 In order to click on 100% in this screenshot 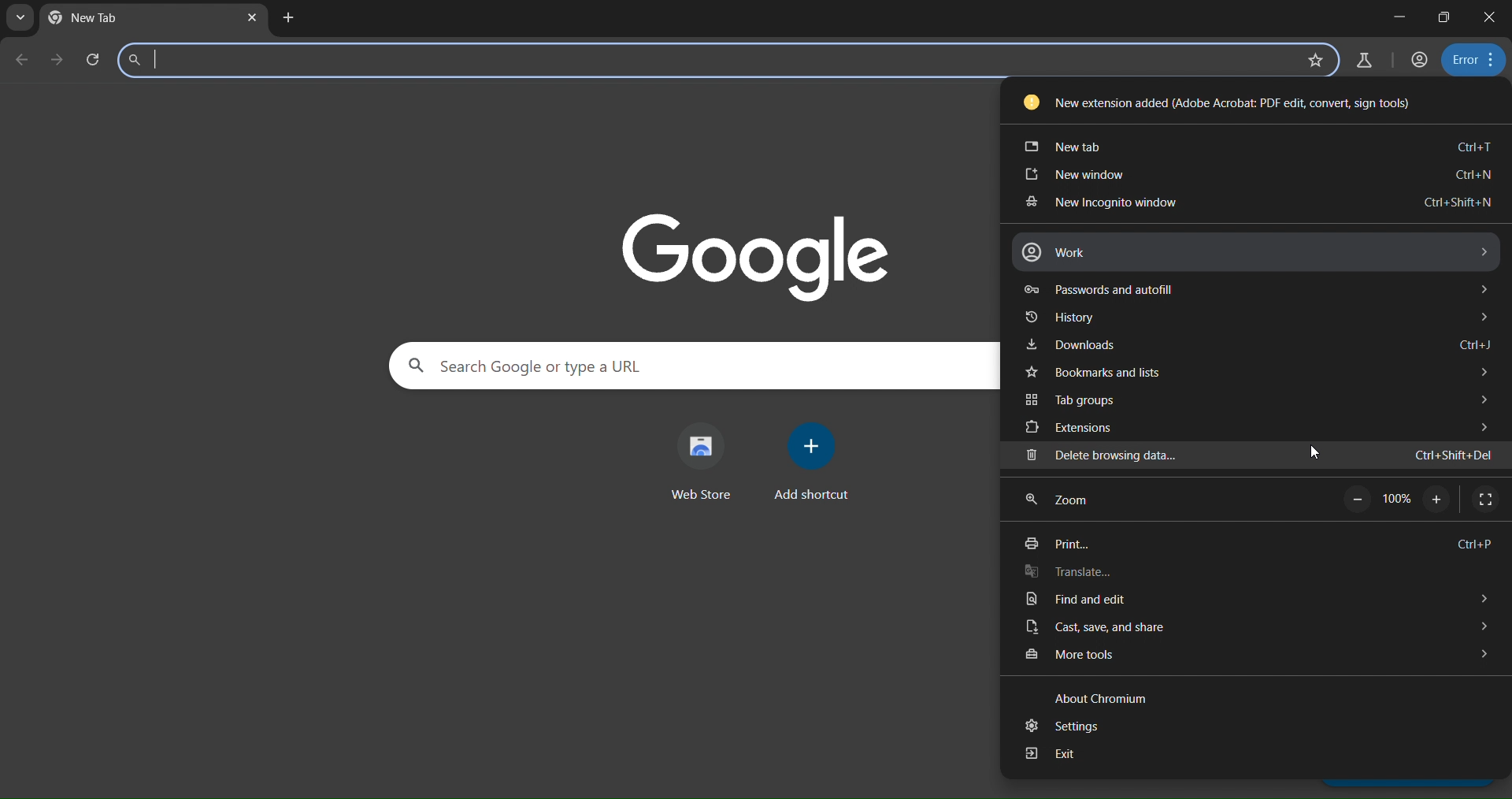, I will do `click(1398, 497)`.